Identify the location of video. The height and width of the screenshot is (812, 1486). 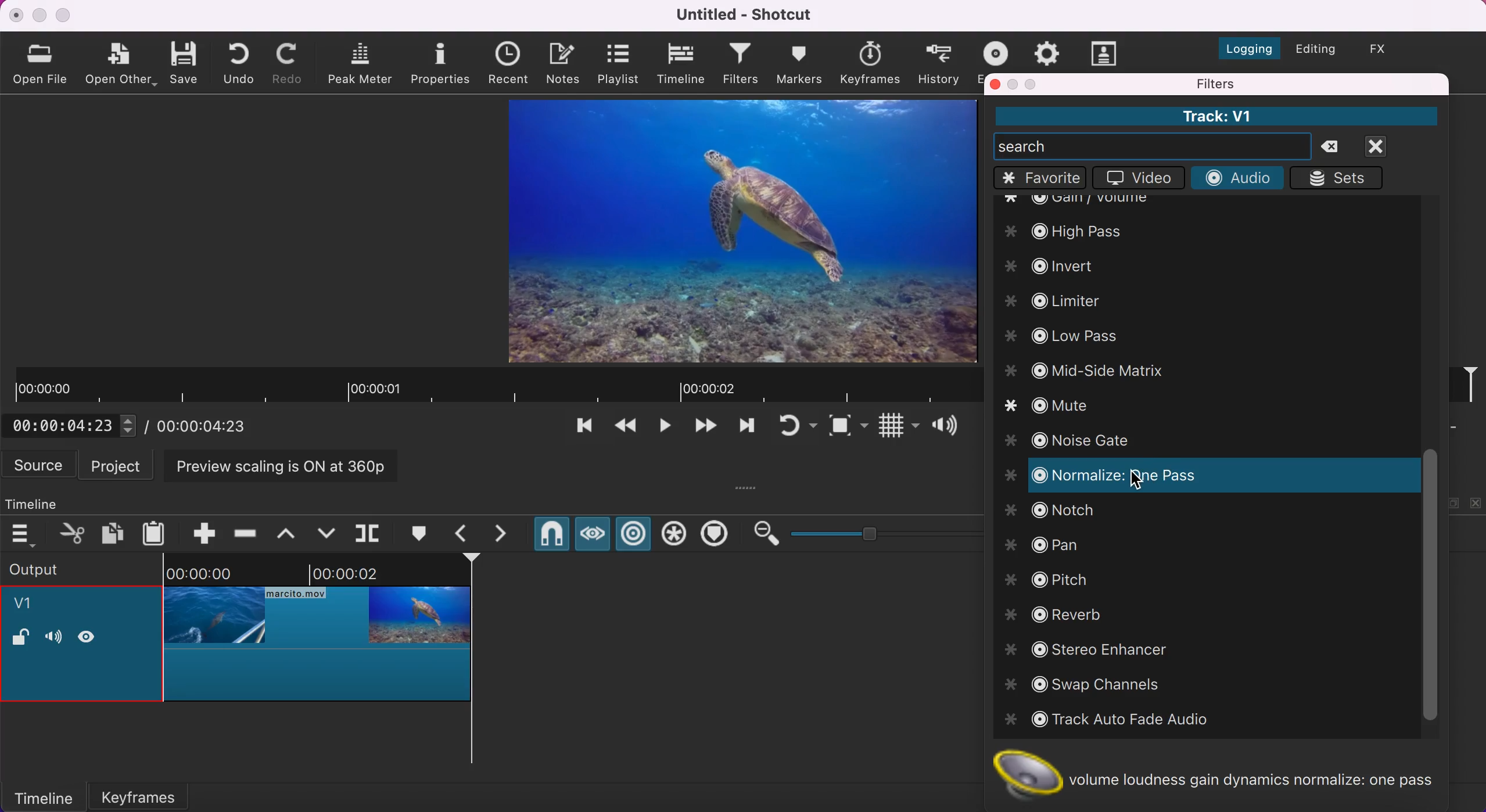
(1136, 178).